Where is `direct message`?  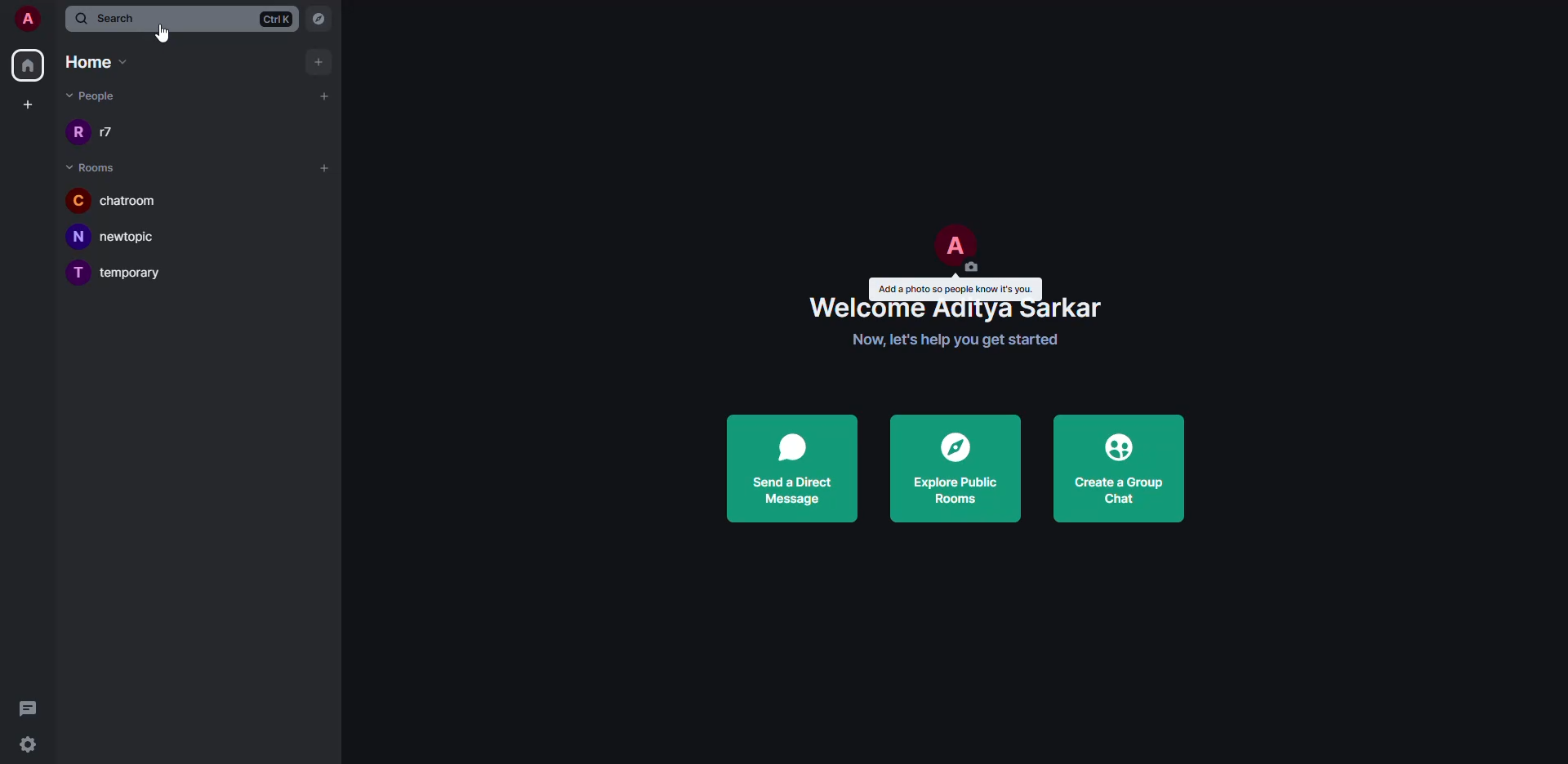
direct message is located at coordinates (795, 471).